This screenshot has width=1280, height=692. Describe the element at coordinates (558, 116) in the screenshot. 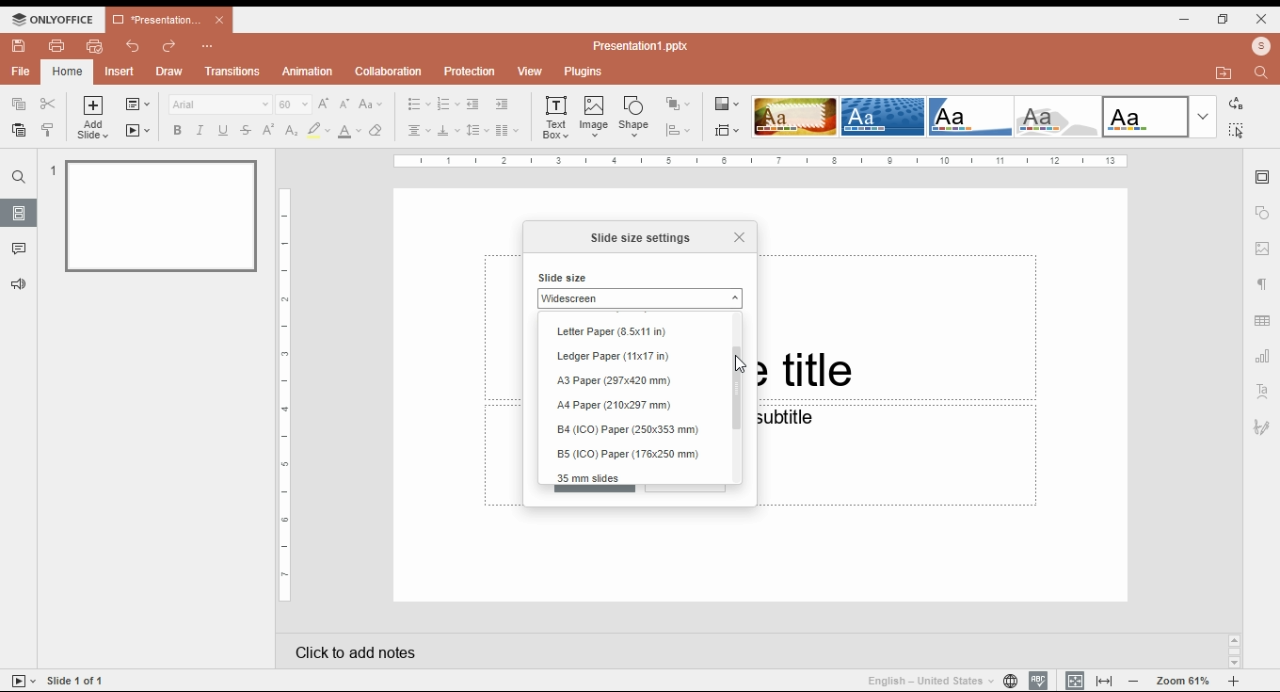

I see `text box` at that location.